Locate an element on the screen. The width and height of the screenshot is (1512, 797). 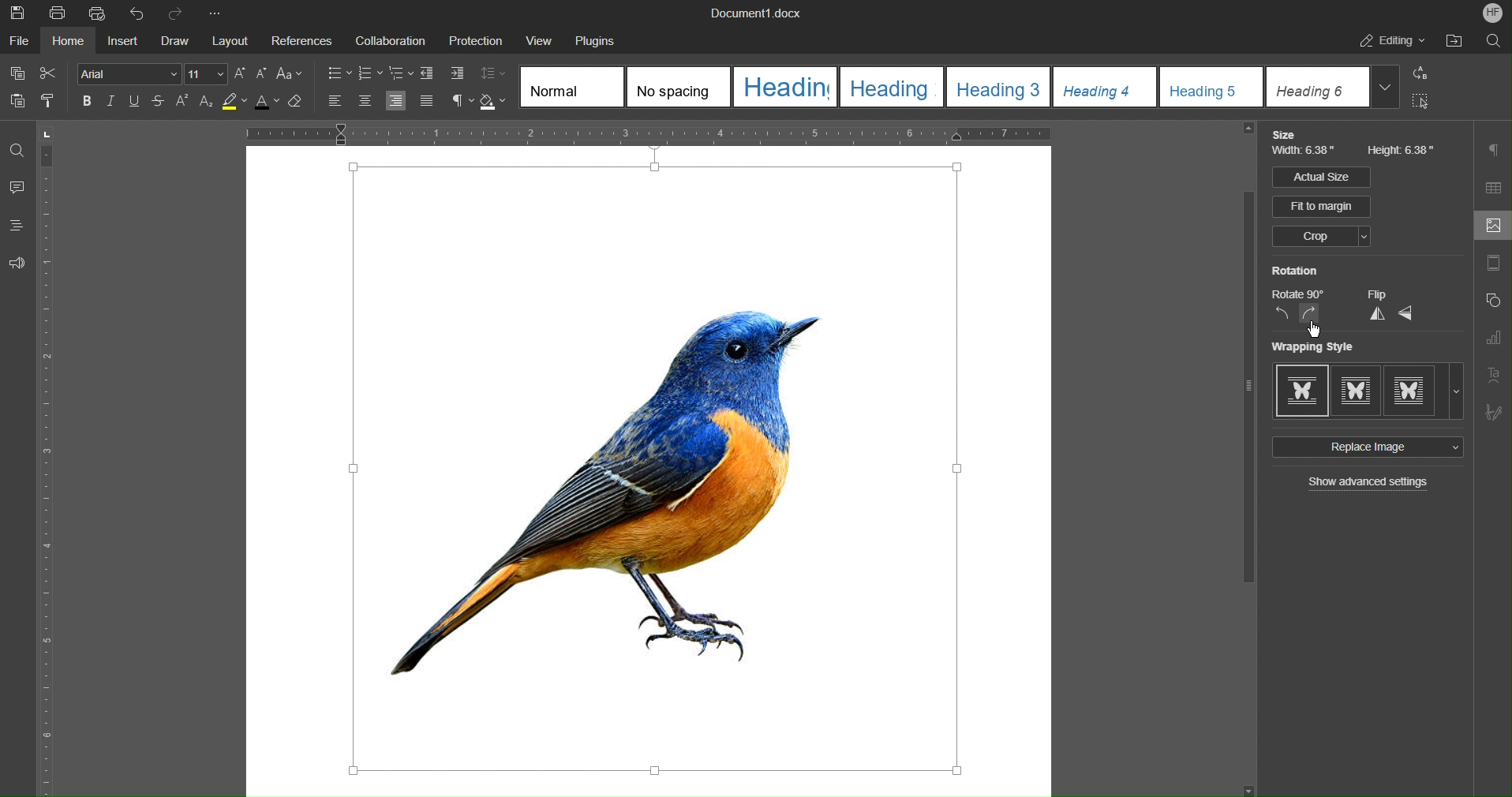
Nonprinting characters is located at coordinates (462, 101).